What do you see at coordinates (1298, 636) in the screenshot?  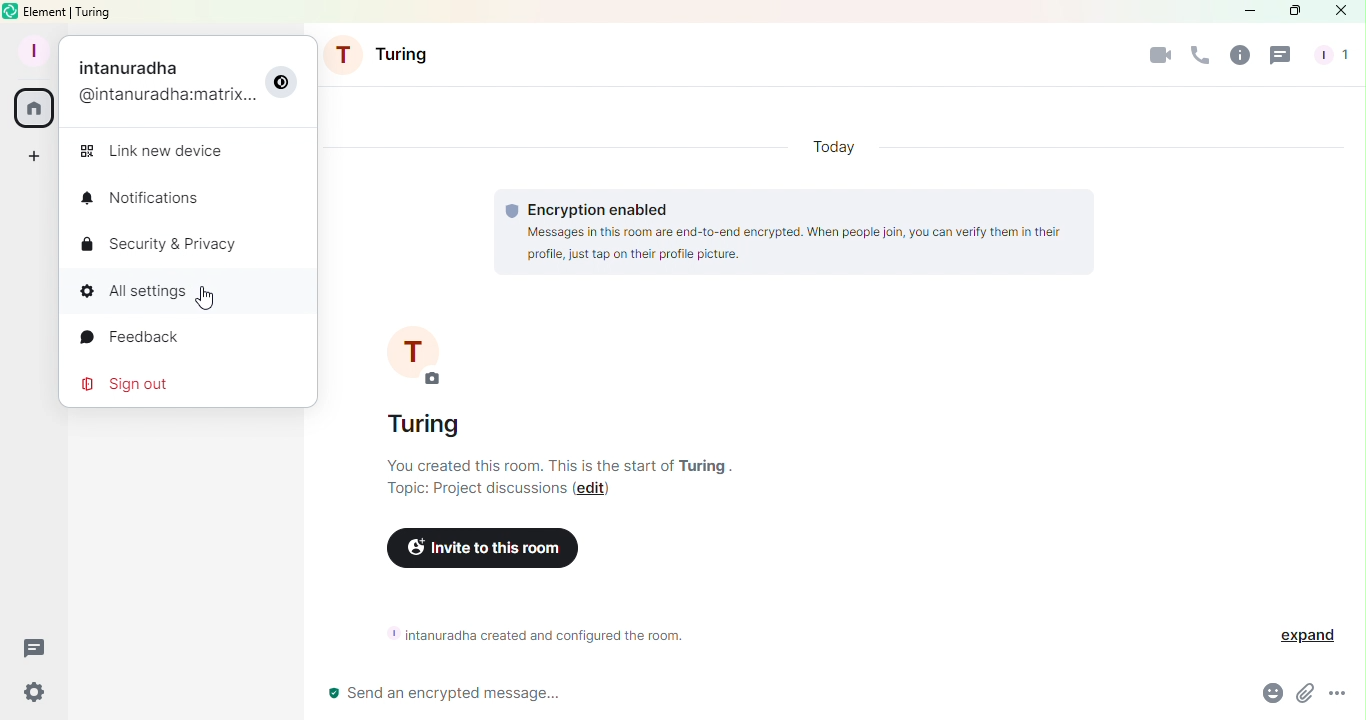 I see `Expand` at bounding box center [1298, 636].